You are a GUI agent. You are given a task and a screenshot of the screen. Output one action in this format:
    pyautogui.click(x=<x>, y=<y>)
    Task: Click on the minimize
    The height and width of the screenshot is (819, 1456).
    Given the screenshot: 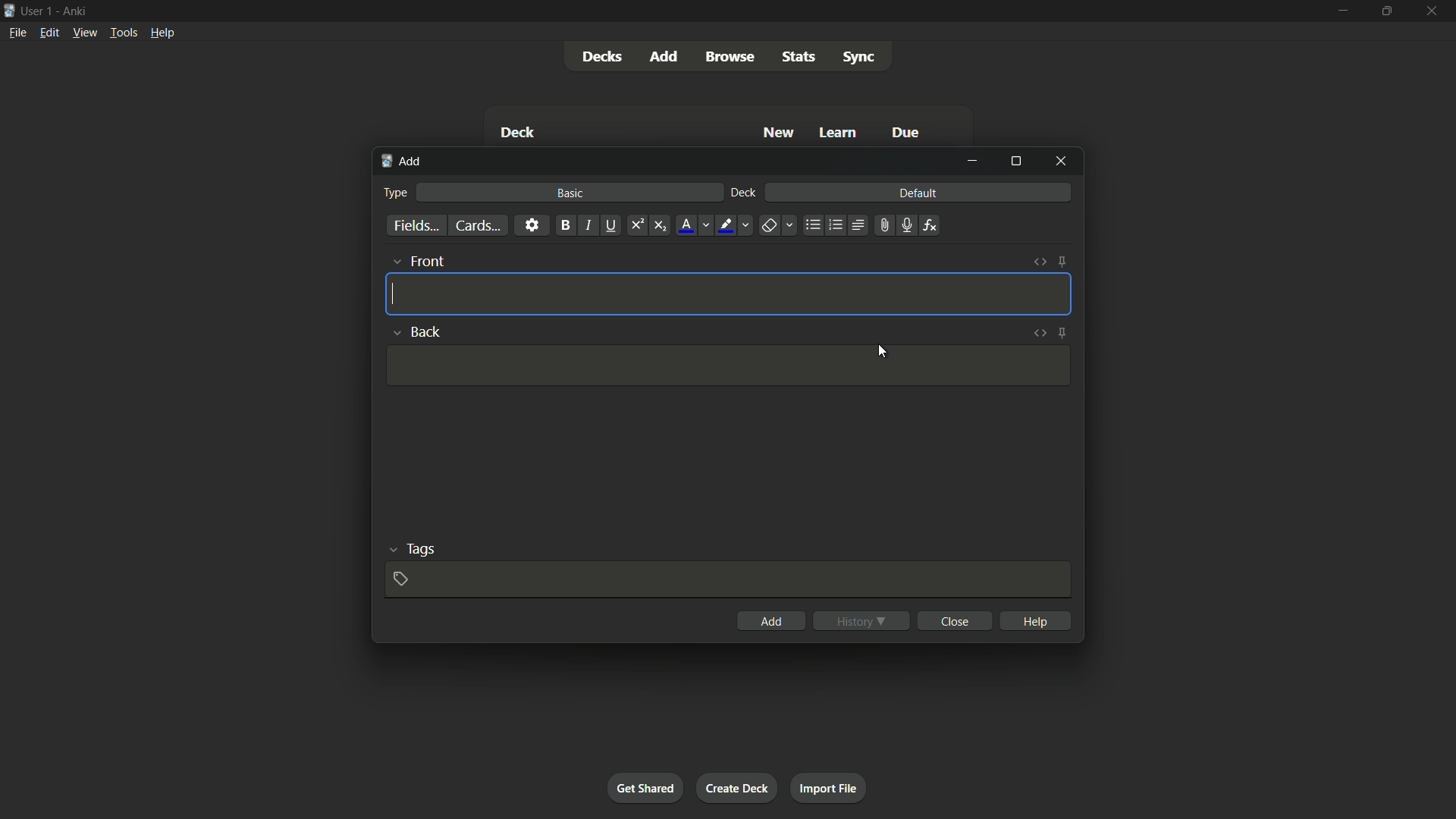 What is the action you would take?
    pyautogui.click(x=1341, y=11)
    